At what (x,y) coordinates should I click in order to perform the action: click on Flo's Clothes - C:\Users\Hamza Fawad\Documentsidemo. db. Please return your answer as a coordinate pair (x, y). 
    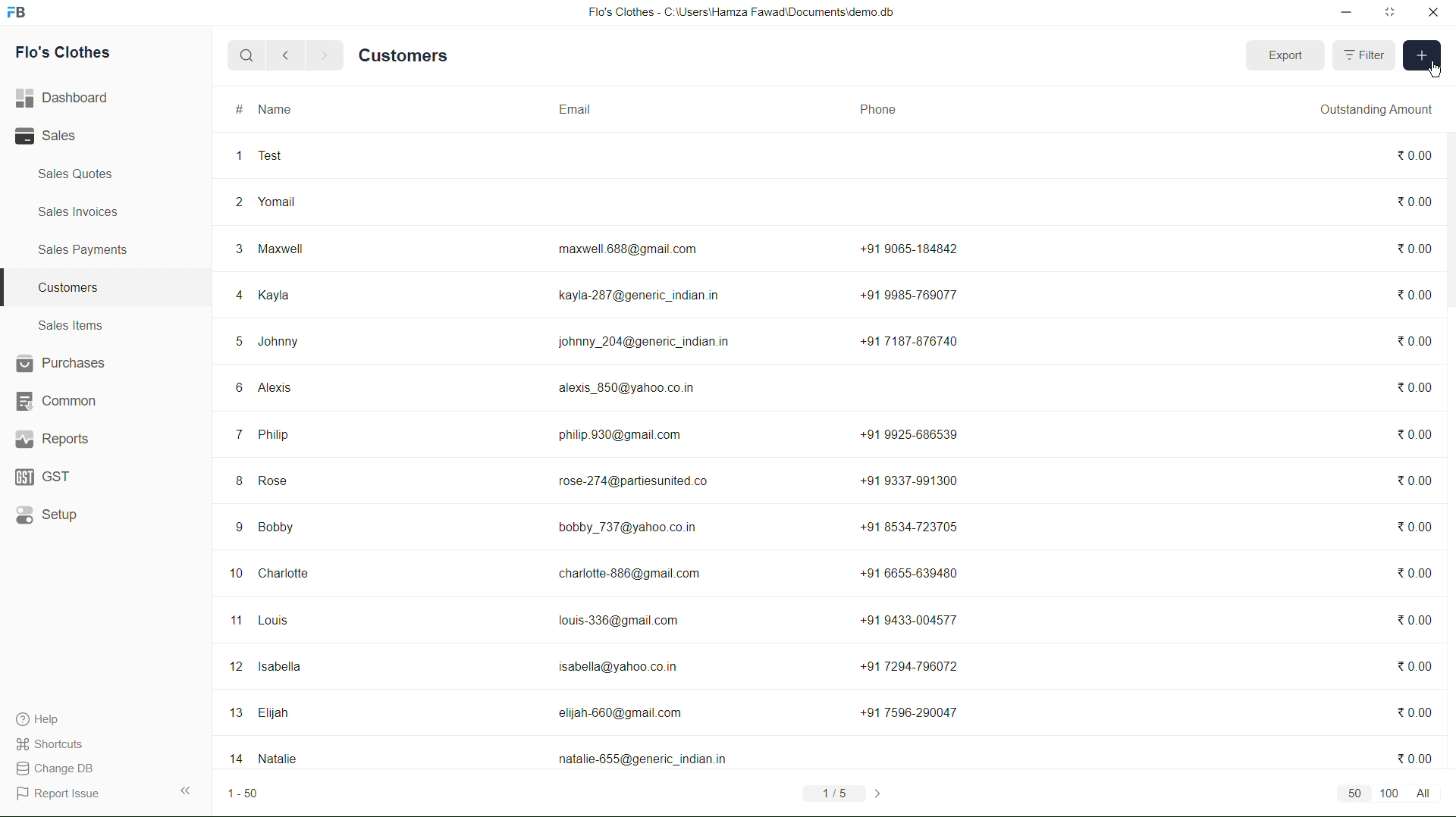
    Looking at the image, I should click on (739, 11).